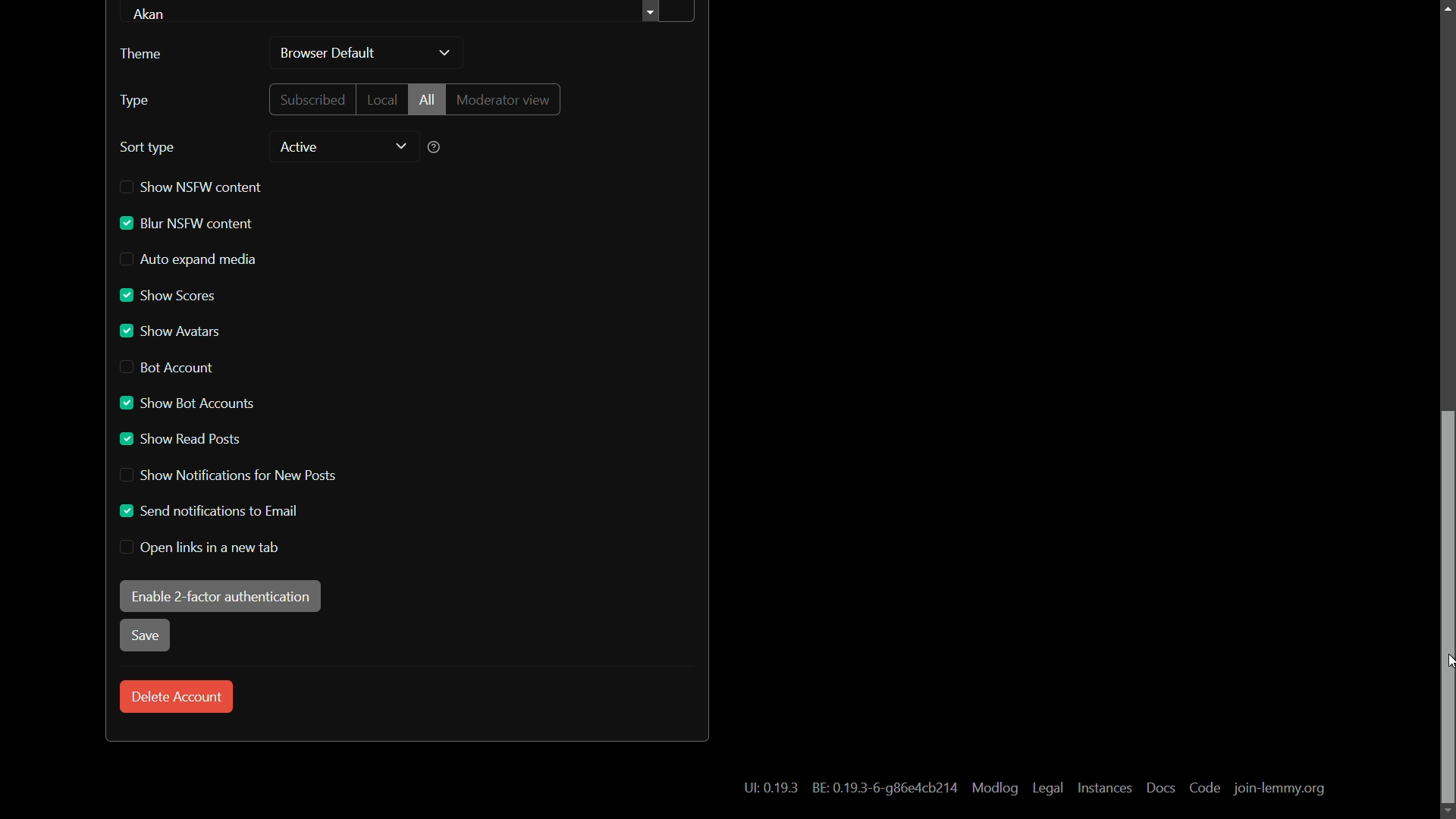  I want to click on local, so click(381, 99).